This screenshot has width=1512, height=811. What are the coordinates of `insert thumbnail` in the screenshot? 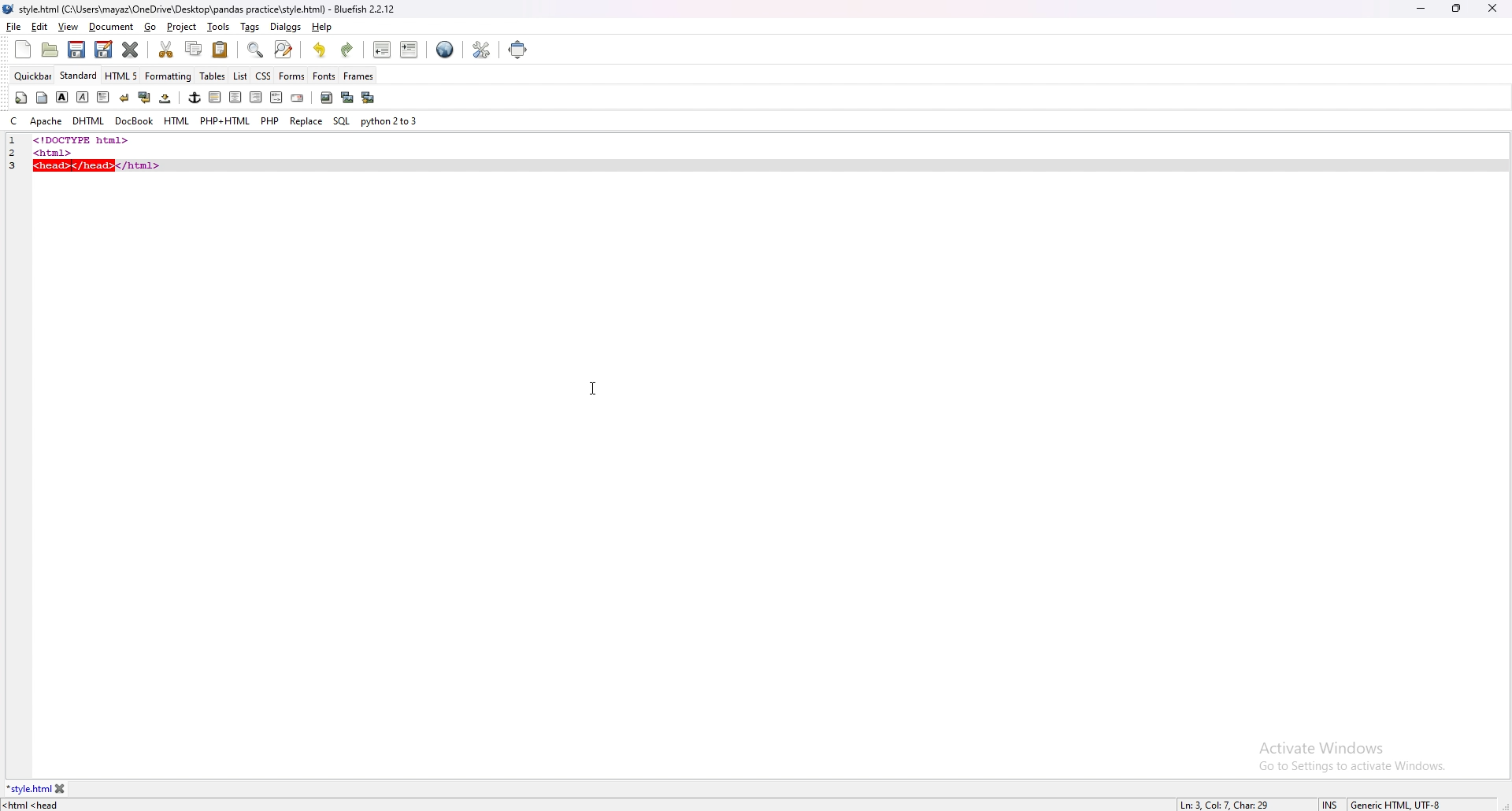 It's located at (346, 98).